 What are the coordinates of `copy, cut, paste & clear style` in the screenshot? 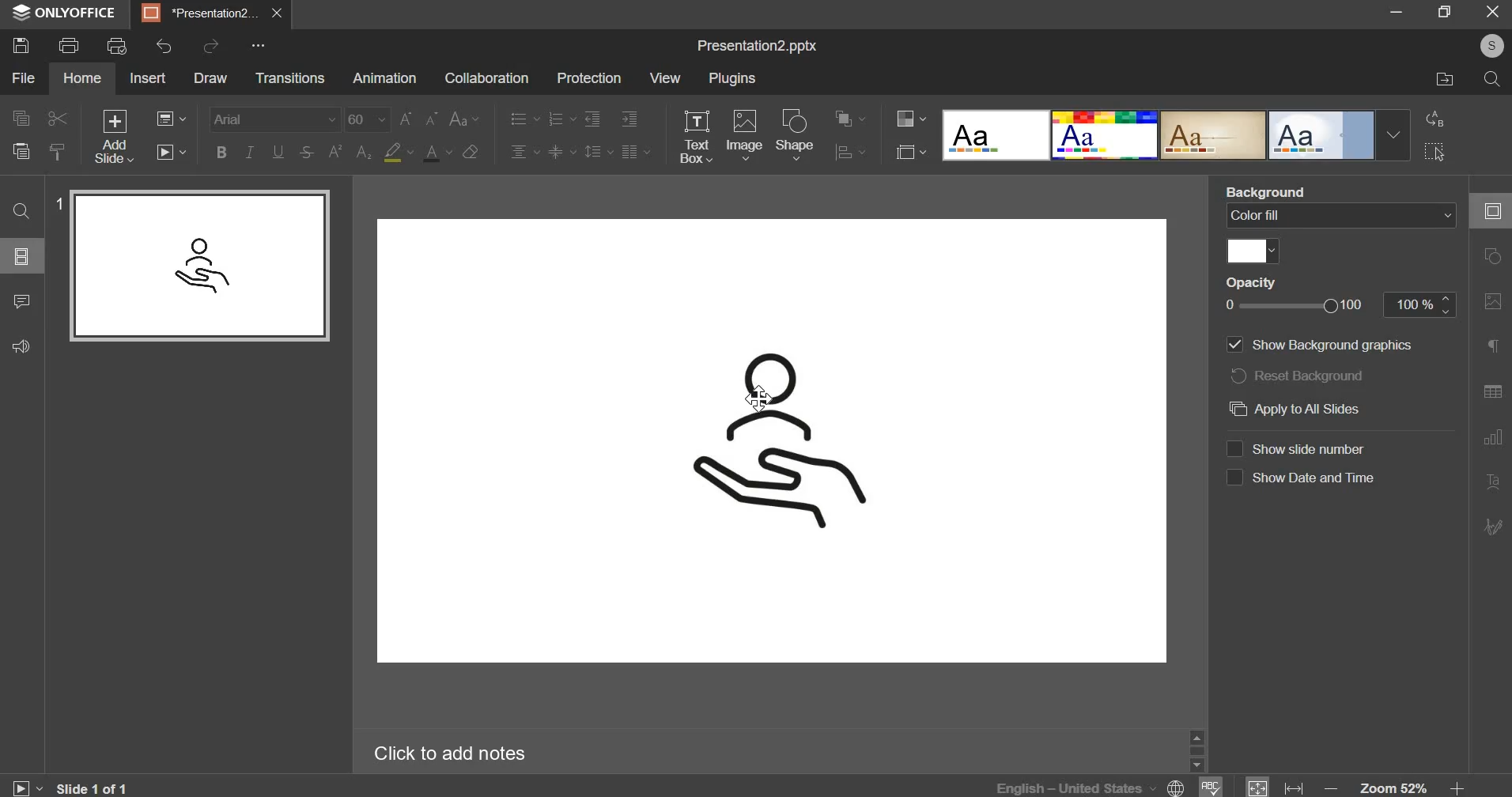 It's located at (40, 135).